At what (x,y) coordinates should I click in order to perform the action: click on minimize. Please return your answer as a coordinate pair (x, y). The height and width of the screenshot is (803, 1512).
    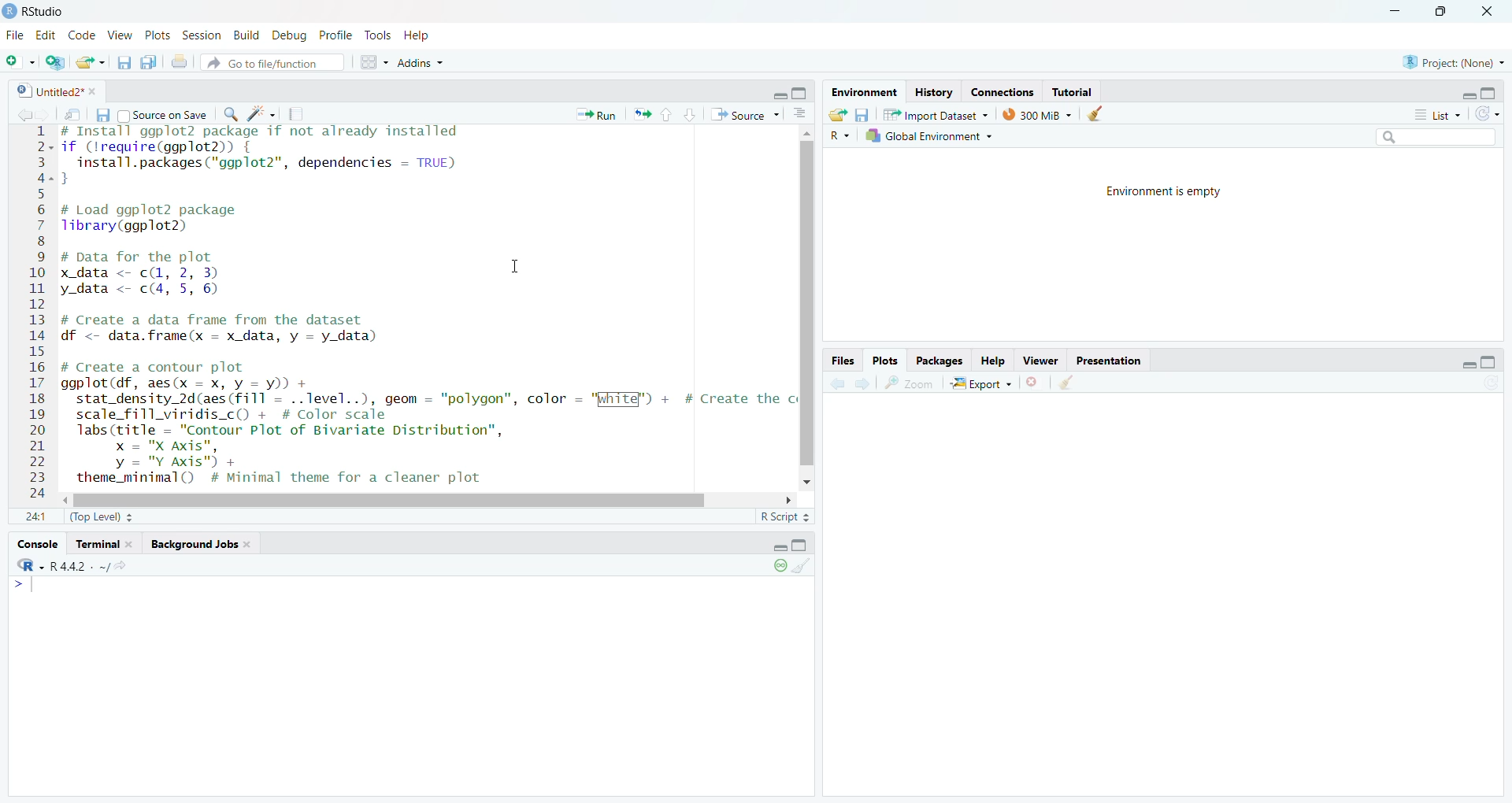
    Looking at the image, I should click on (1398, 13).